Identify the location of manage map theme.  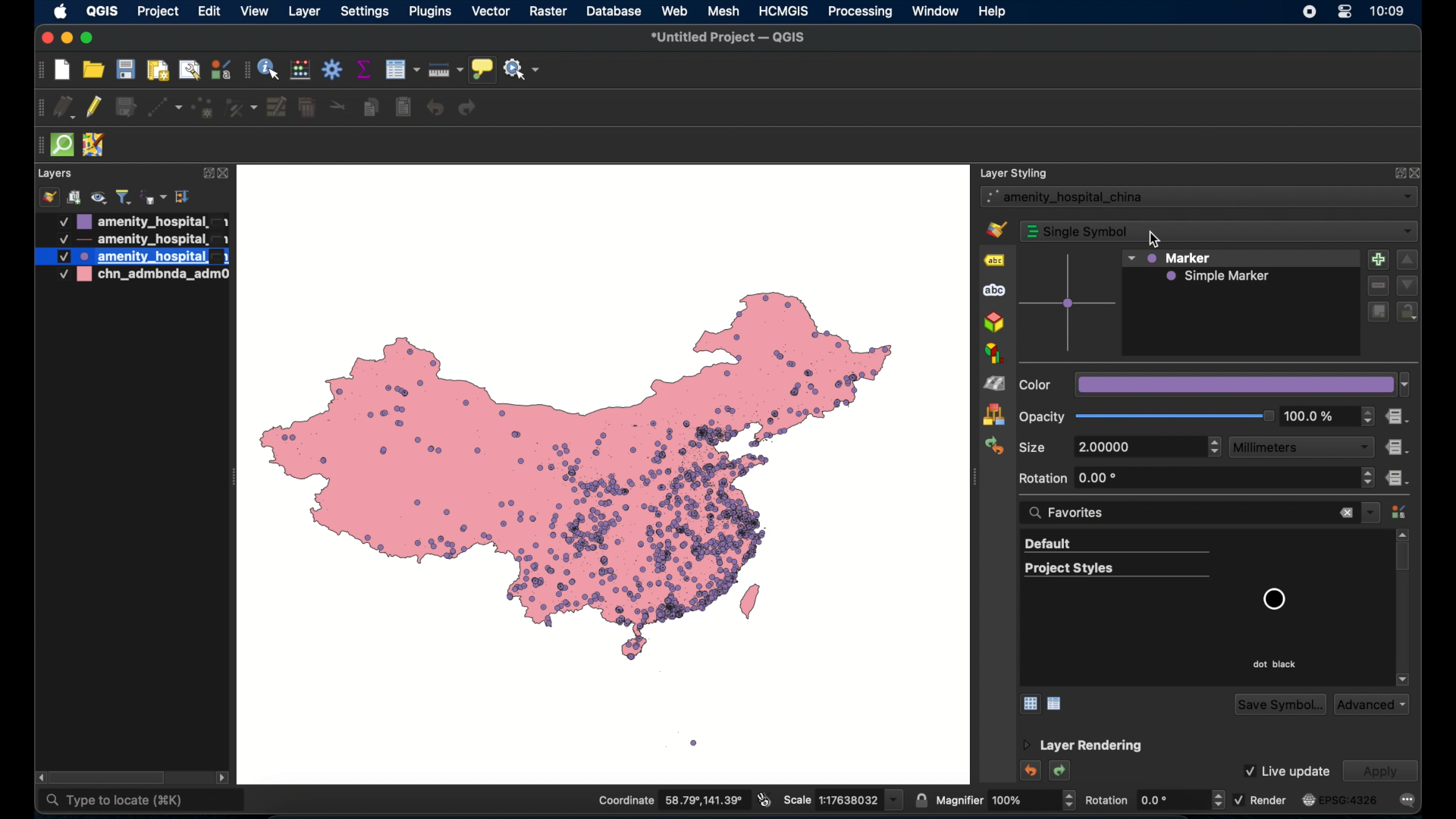
(101, 197).